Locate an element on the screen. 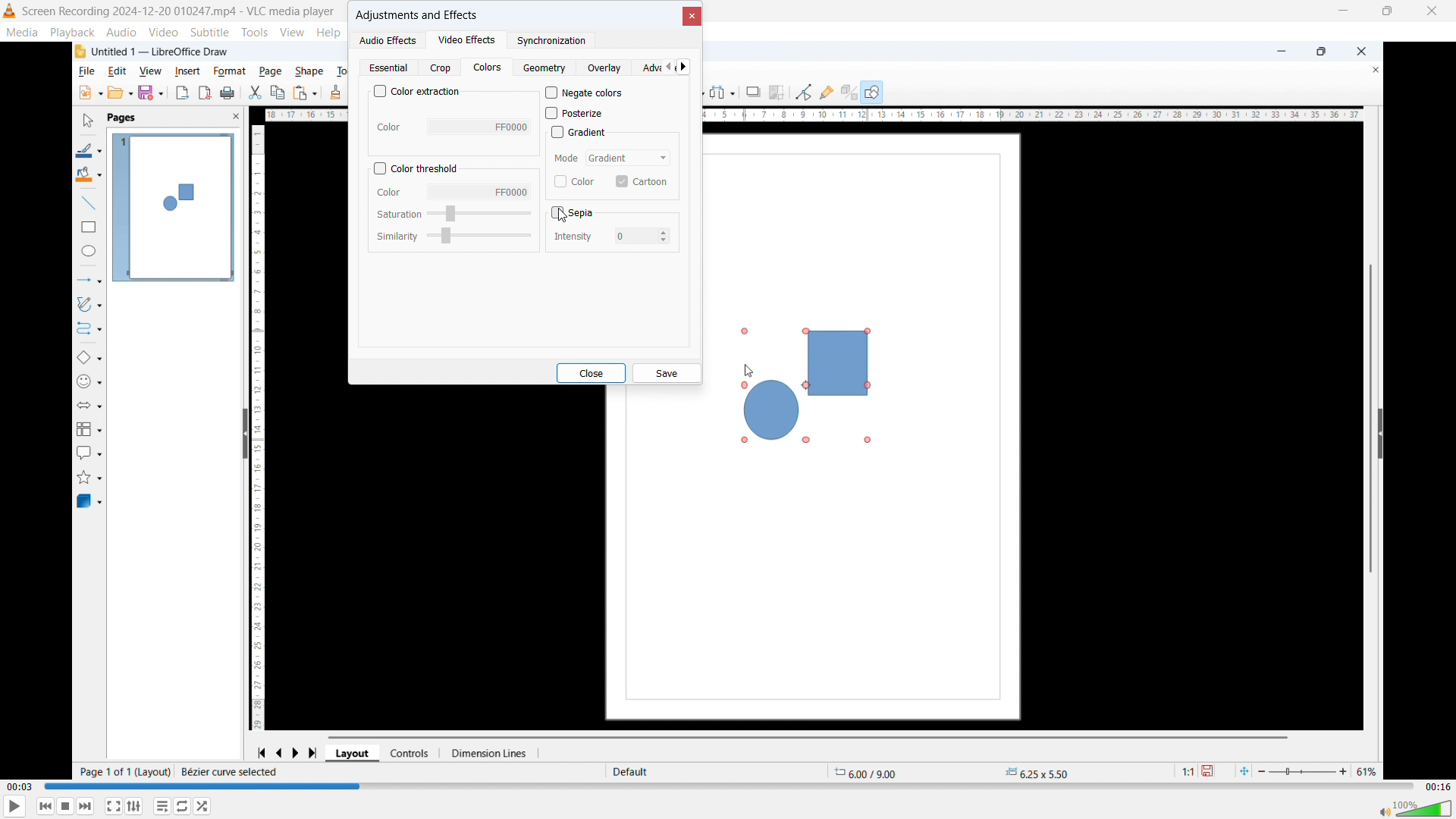 Image resolution: width=1456 pixels, height=819 pixels. Cursor  is located at coordinates (563, 215).